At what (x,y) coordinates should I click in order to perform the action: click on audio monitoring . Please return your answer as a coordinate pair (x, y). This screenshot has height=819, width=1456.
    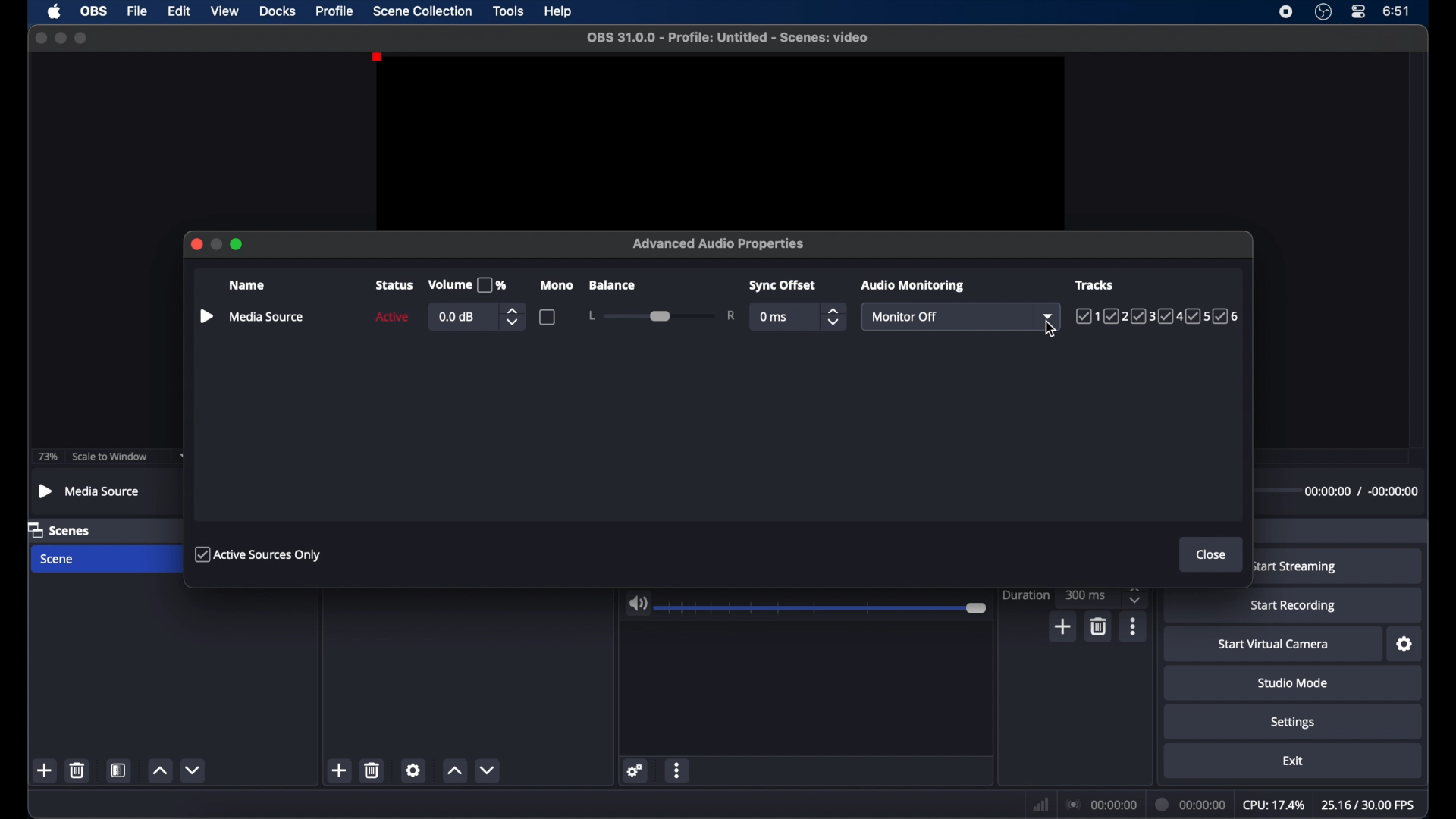
    Looking at the image, I should click on (913, 286).